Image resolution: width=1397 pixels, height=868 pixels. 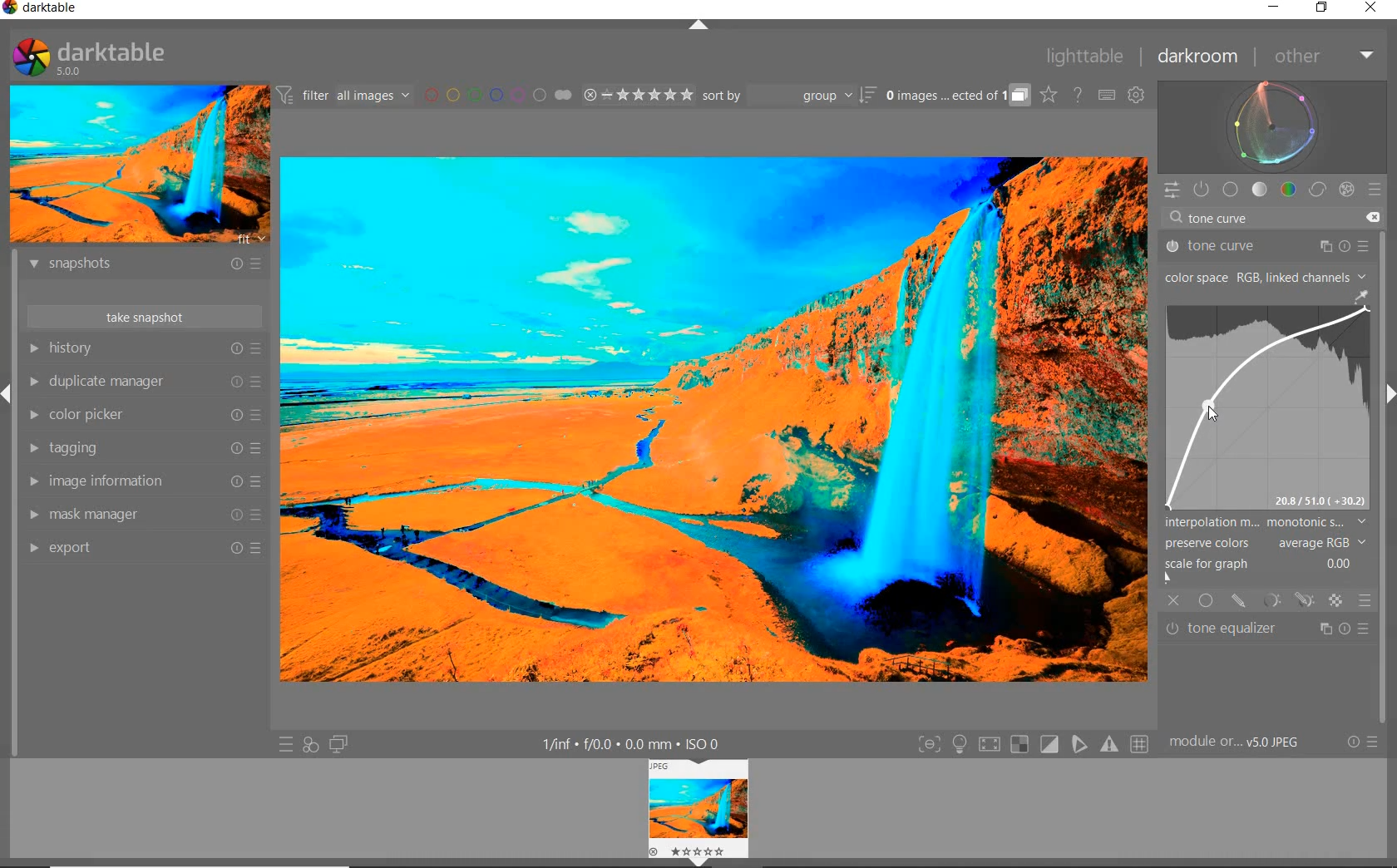 I want to click on QUICK ACCESS TO PRESET, so click(x=285, y=743).